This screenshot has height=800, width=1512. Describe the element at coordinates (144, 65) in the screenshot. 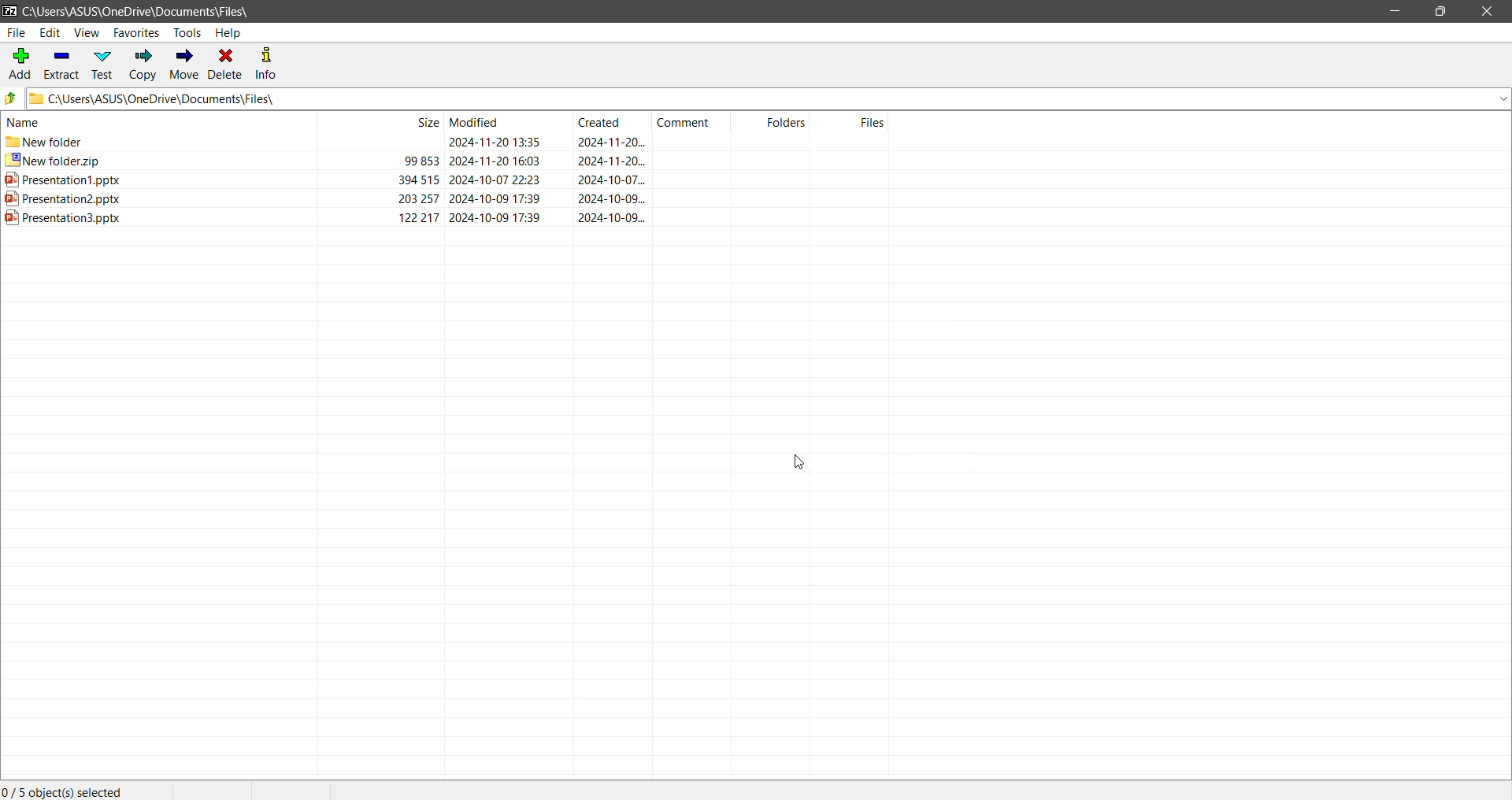

I see `Copy` at that location.